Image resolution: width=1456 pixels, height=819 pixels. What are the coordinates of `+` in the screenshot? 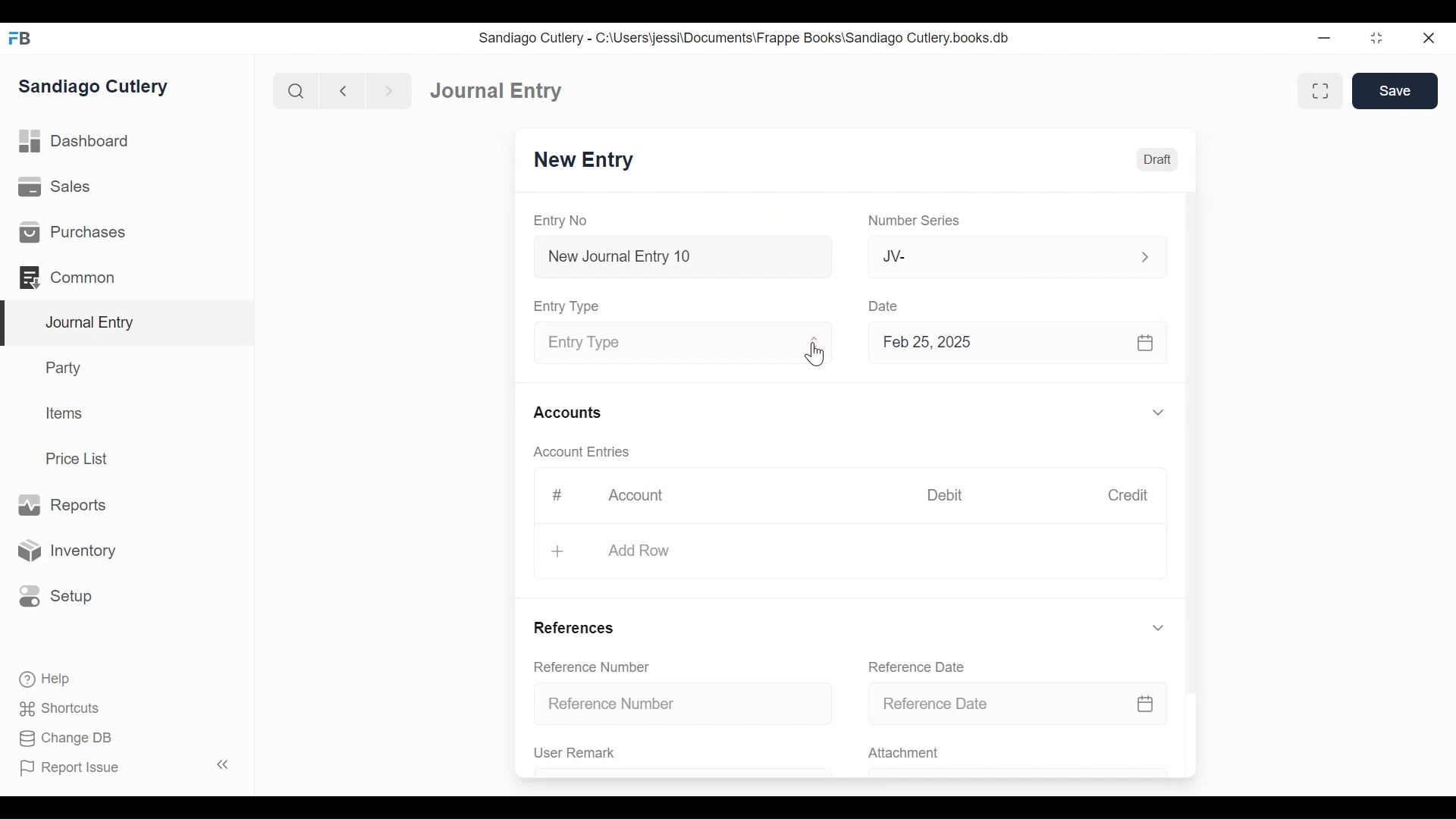 It's located at (558, 551).